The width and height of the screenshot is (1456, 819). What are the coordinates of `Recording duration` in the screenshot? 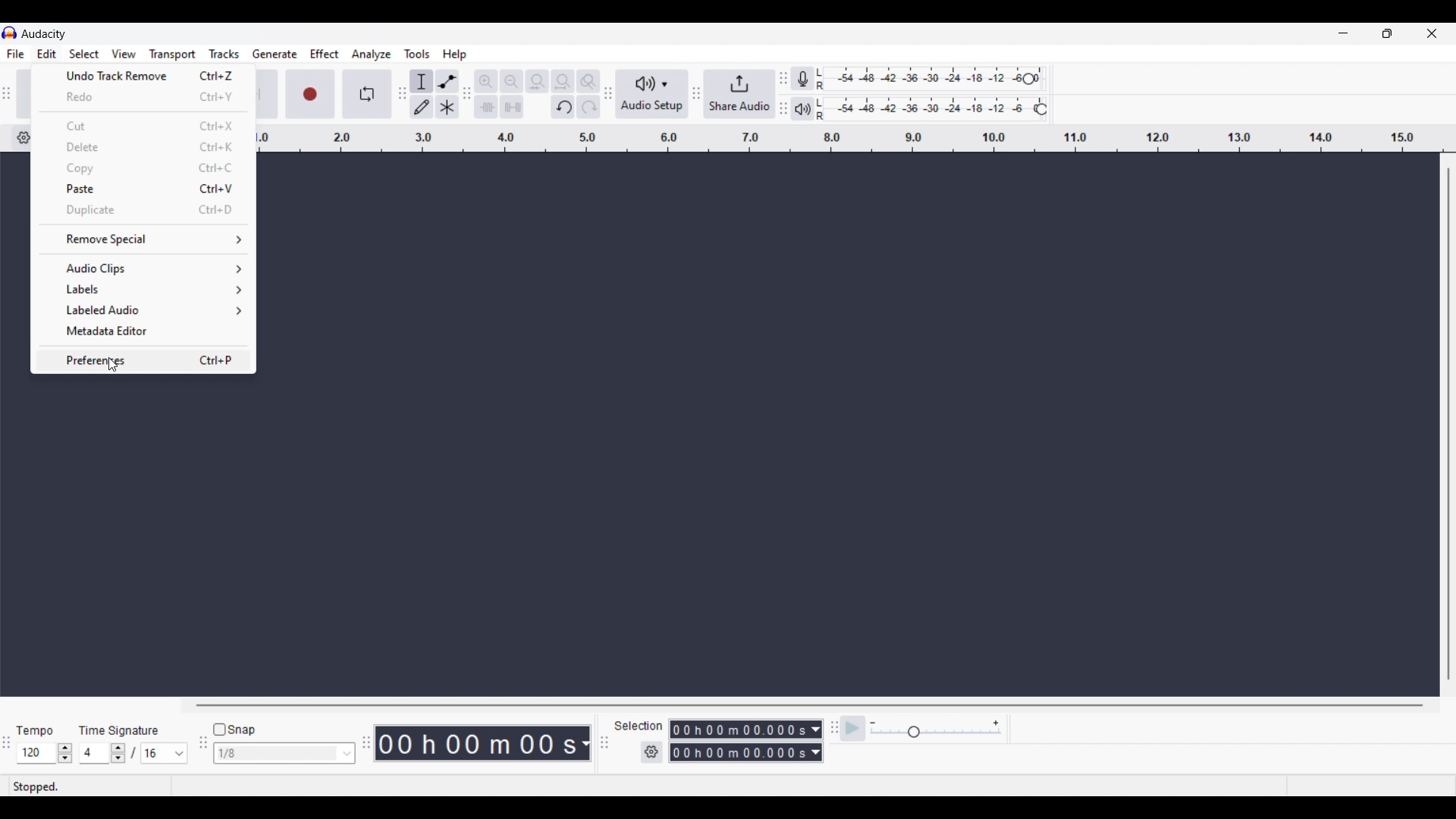 It's located at (737, 741).